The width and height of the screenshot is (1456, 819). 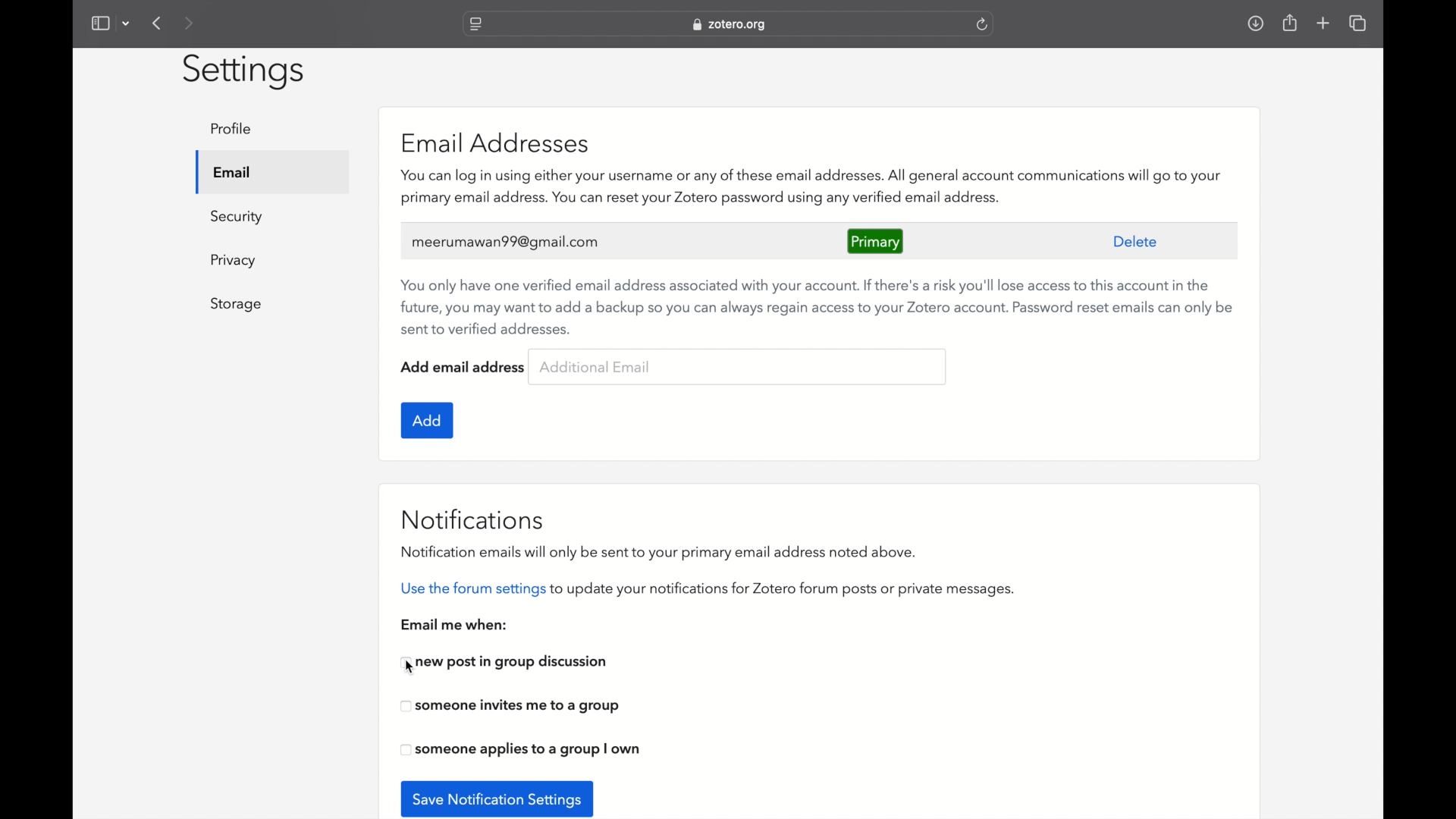 What do you see at coordinates (731, 26) in the screenshot?
I see `web address` at bounding box center [731, 26].